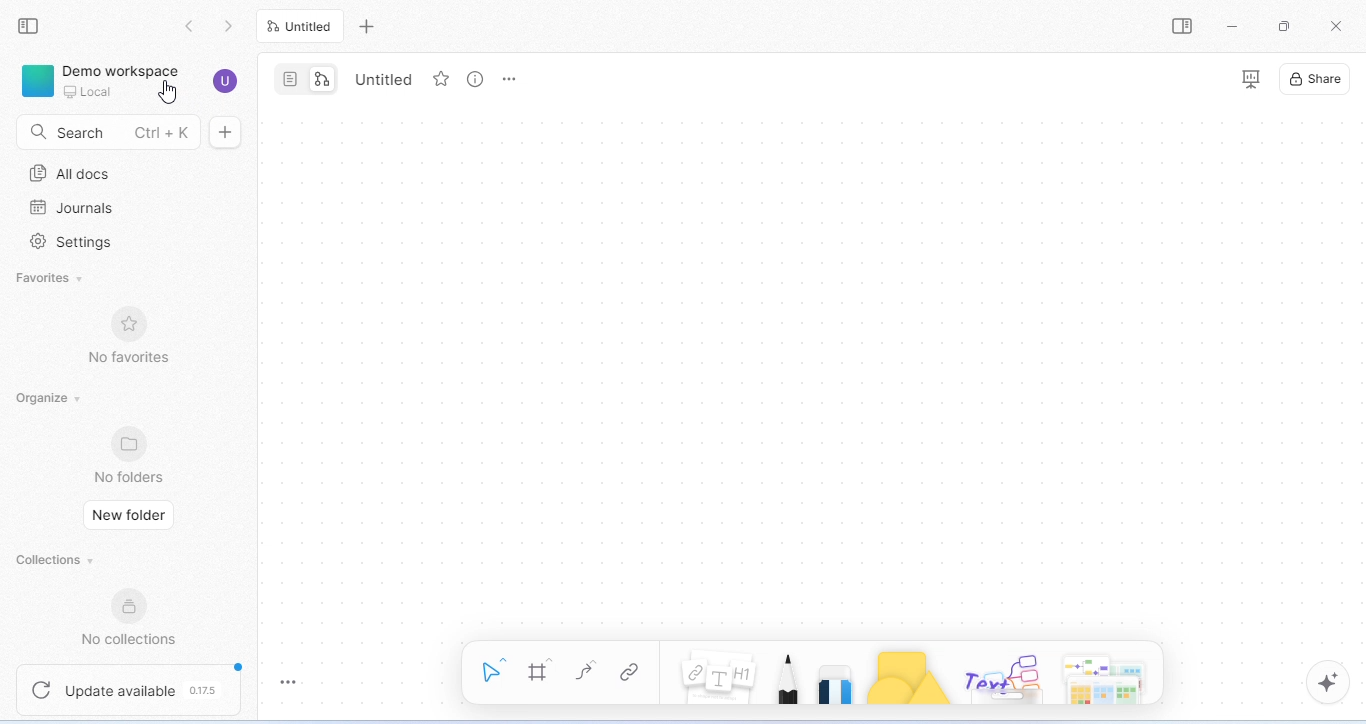 This screenshot has height=724, width=1366. Describe the element at coordinates (105, 83) in the screenshot. I see `demo workspace` at that location.